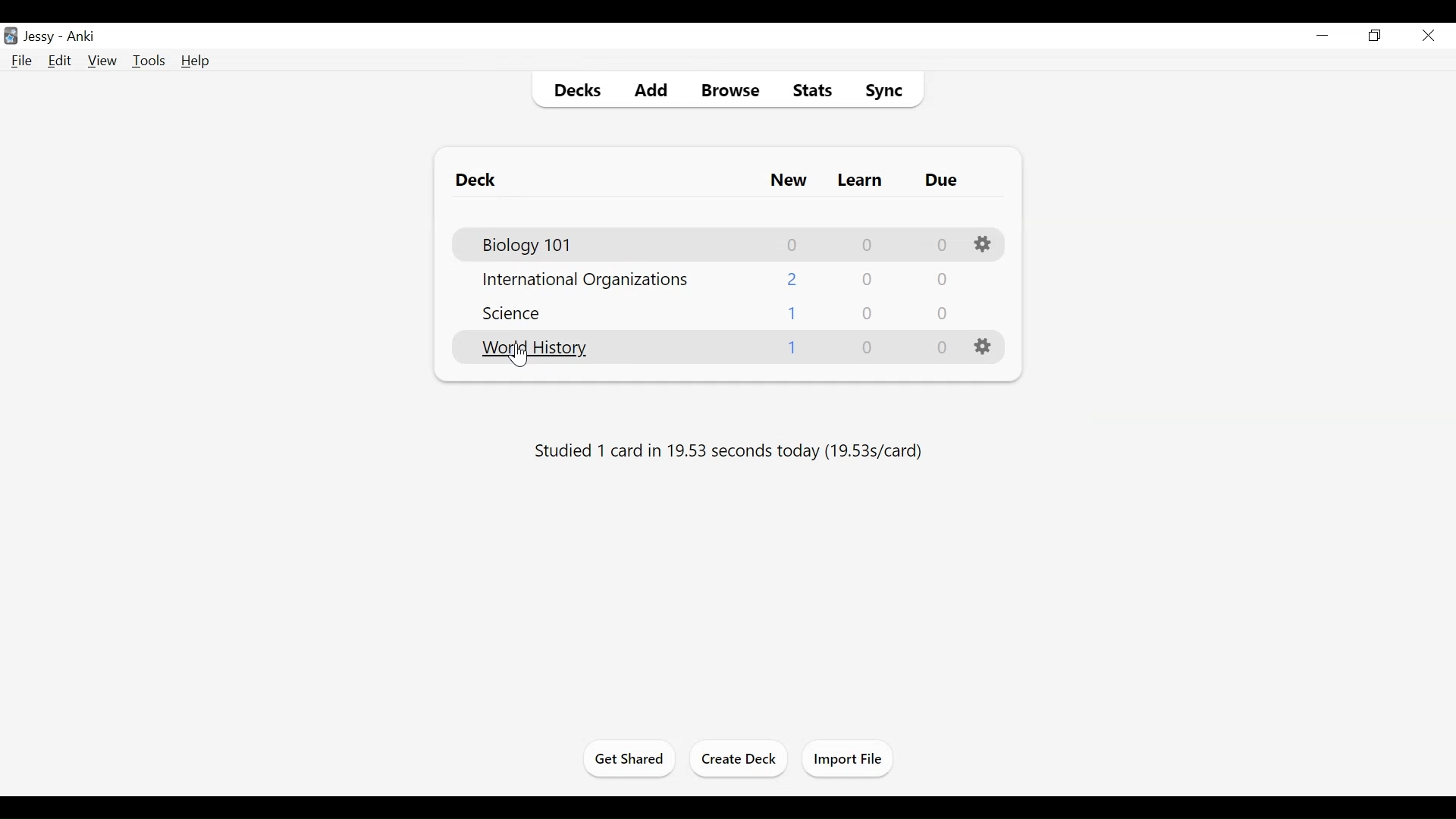 The width and height of the screenshot is (1456, 819). Describe the element at coordinates (880, 90) in the screenshot. I see `Sync` at that location.